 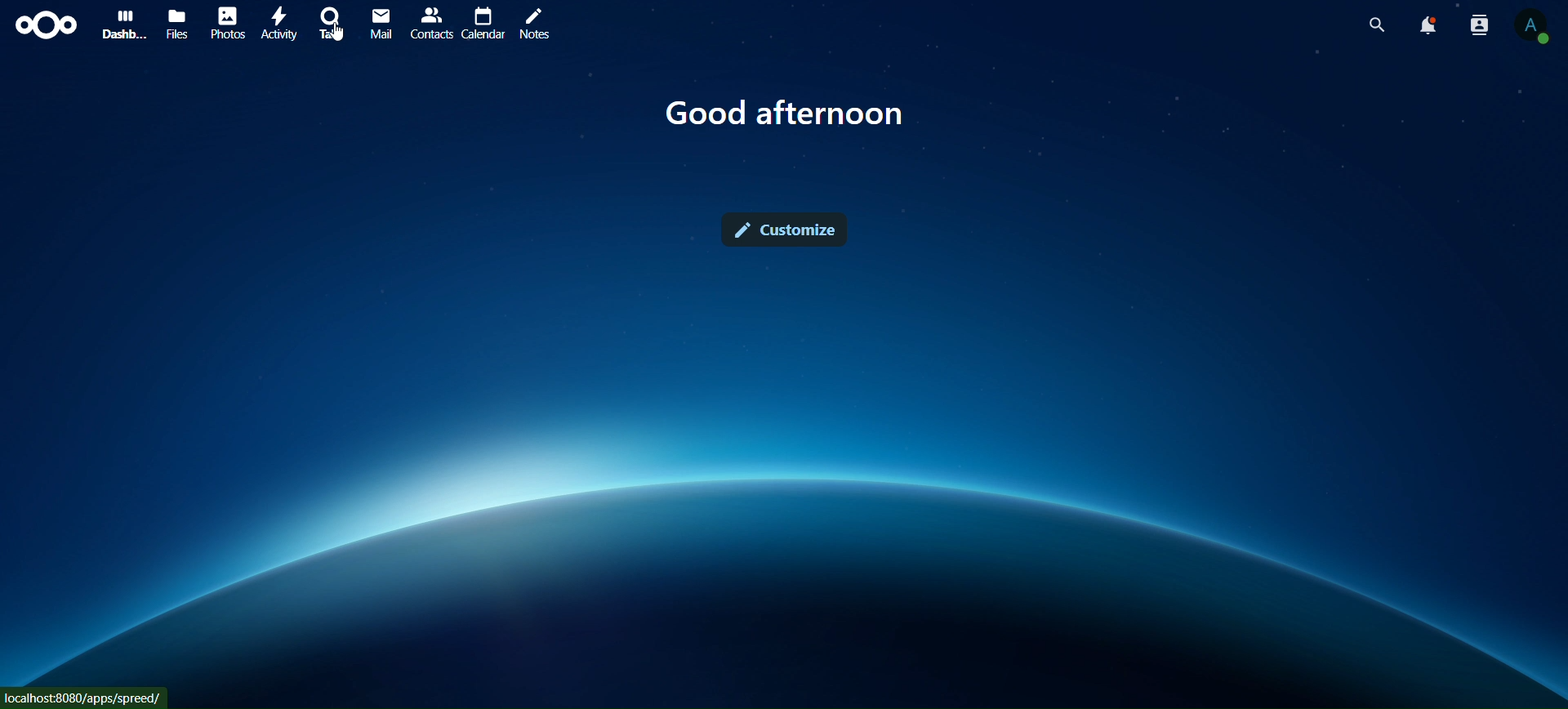 I want to click on notes, so click(x=534, y=25).